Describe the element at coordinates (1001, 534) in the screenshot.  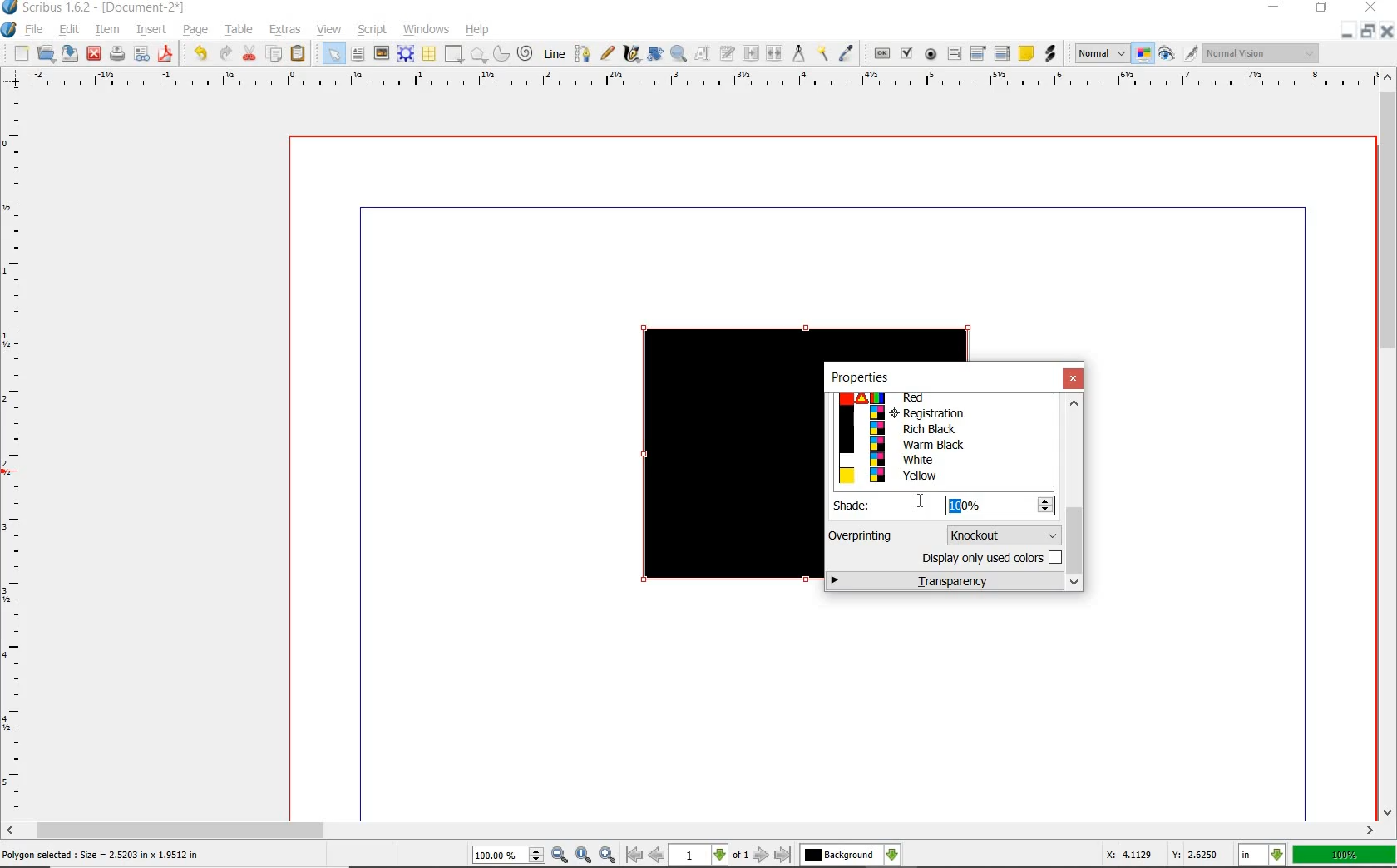
I see `knockout` at that location.